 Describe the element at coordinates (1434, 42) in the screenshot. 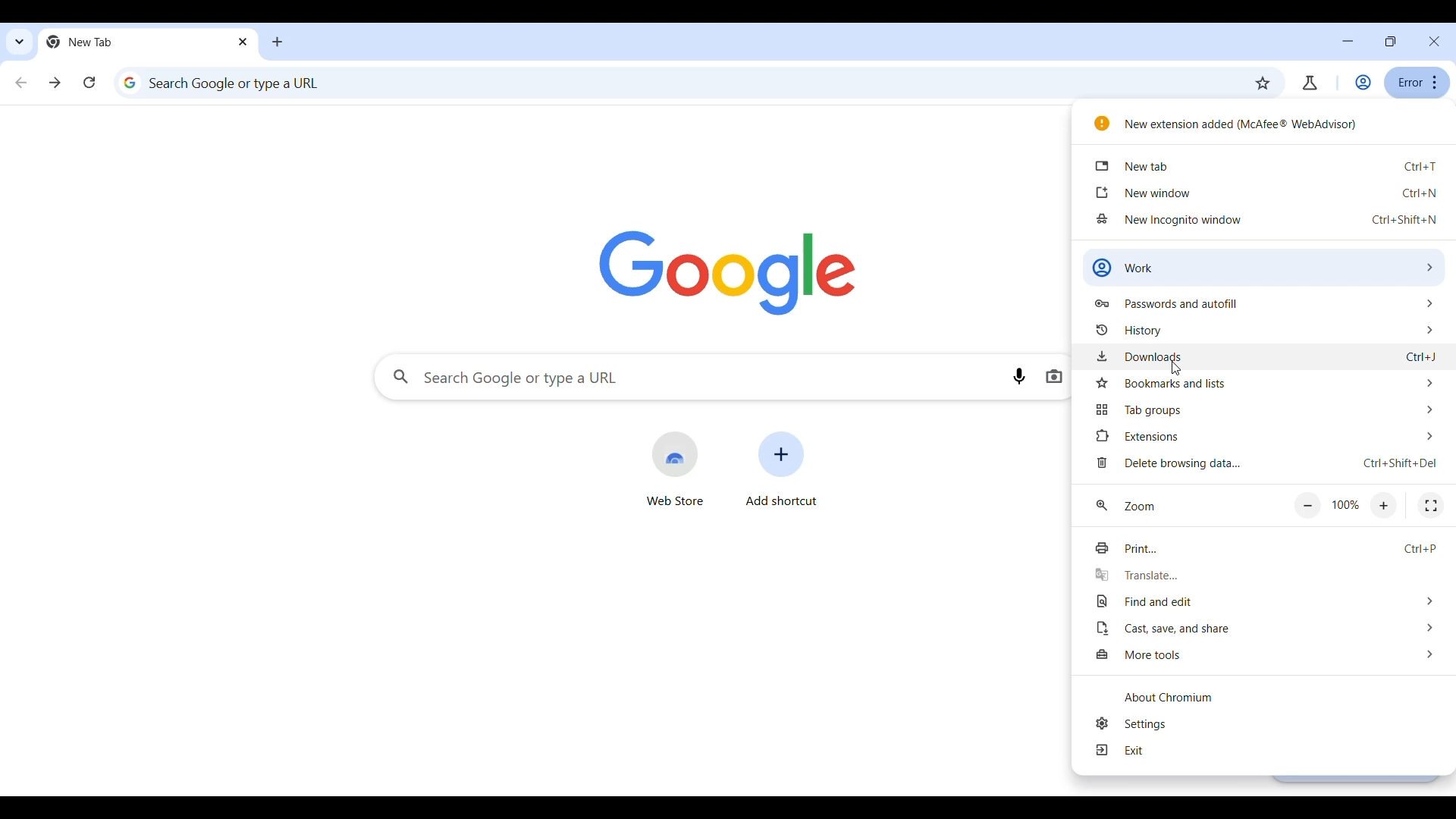

I see `Close ` at that location.